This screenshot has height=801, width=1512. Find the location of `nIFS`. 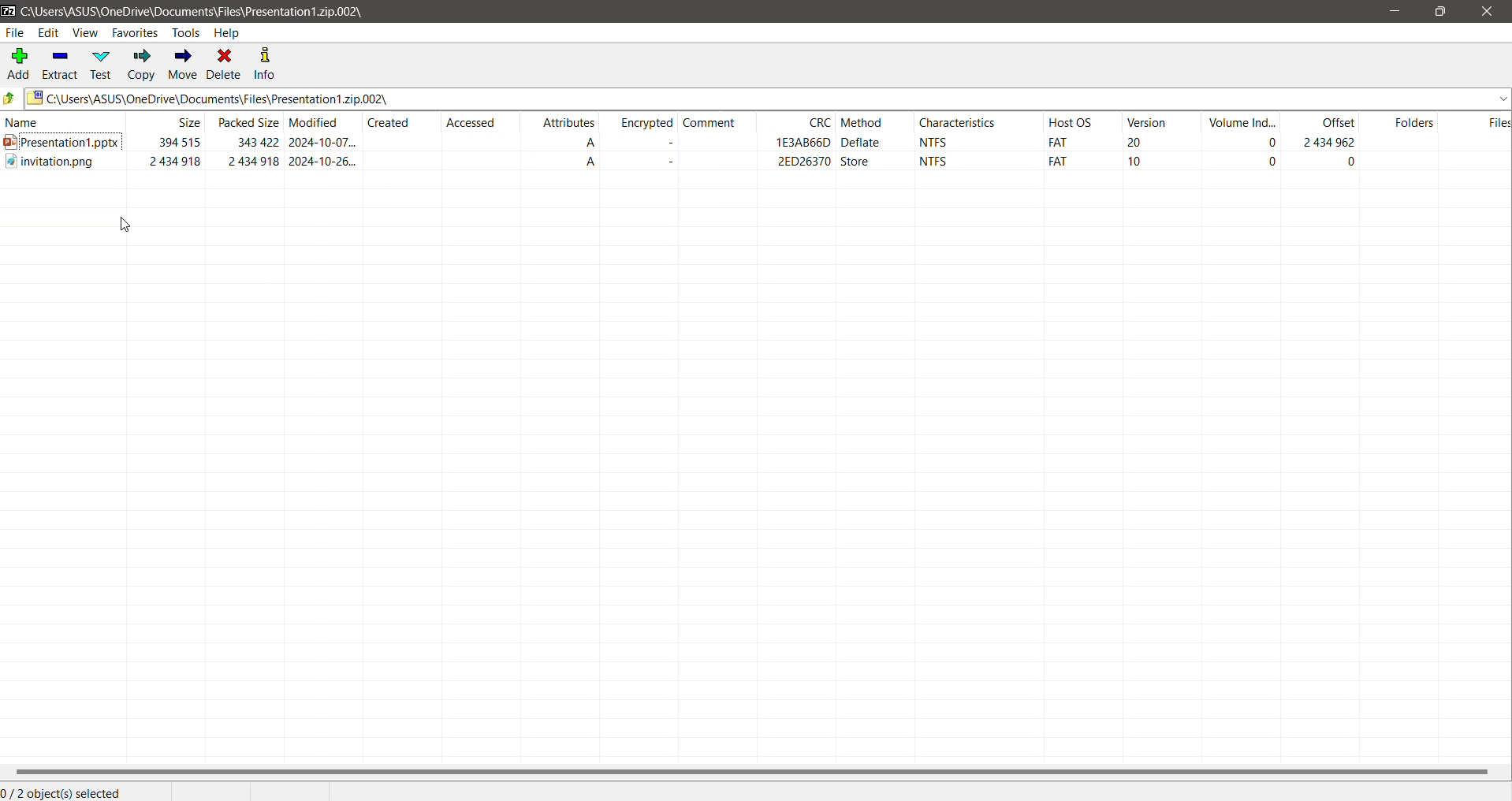

nIFS is located at coordinates (947, 162).